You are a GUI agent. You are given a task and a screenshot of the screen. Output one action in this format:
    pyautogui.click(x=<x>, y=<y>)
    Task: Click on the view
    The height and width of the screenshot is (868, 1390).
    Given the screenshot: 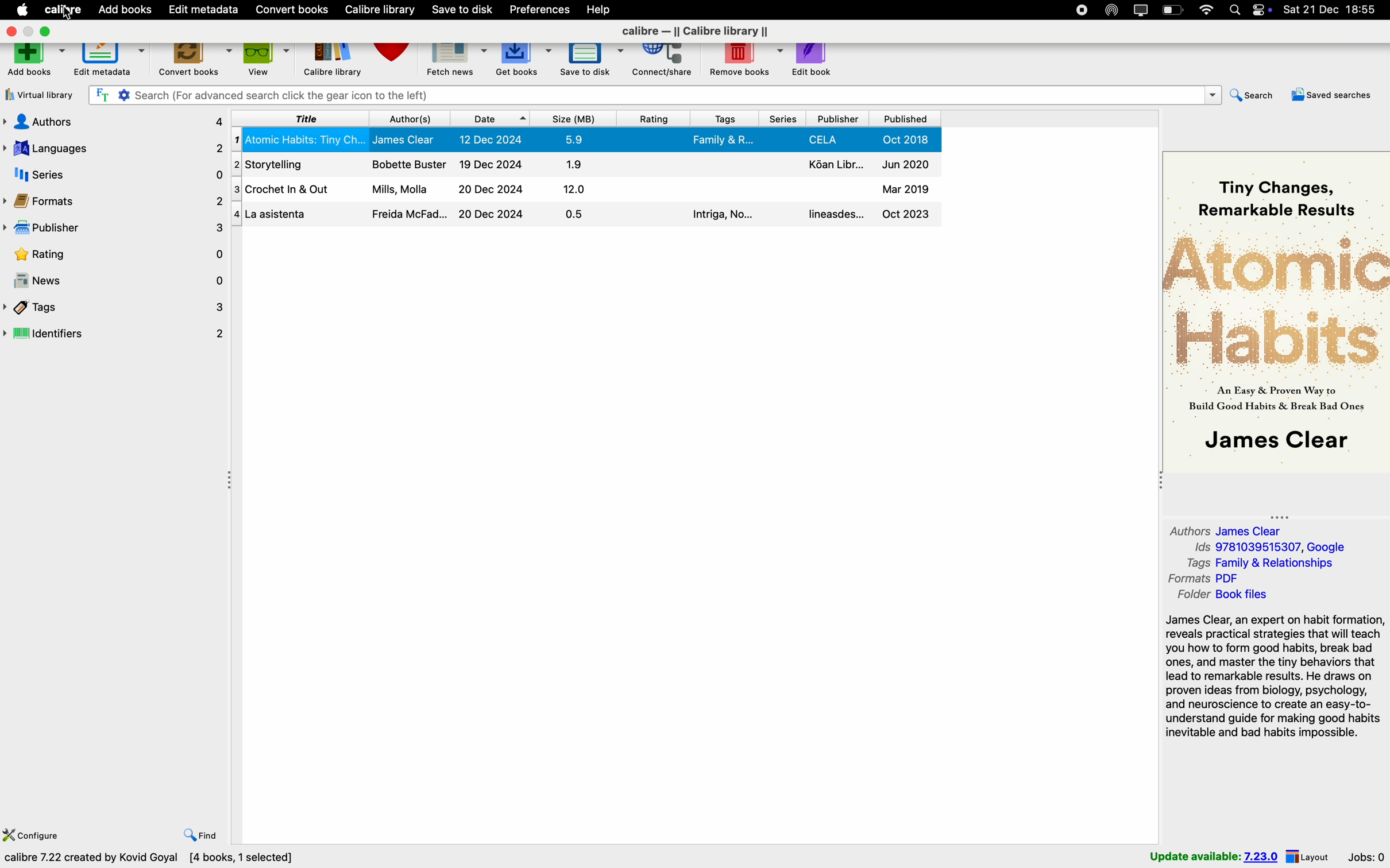 What is the action you would take?
    pyautogui.click(x=268, y=61)
    